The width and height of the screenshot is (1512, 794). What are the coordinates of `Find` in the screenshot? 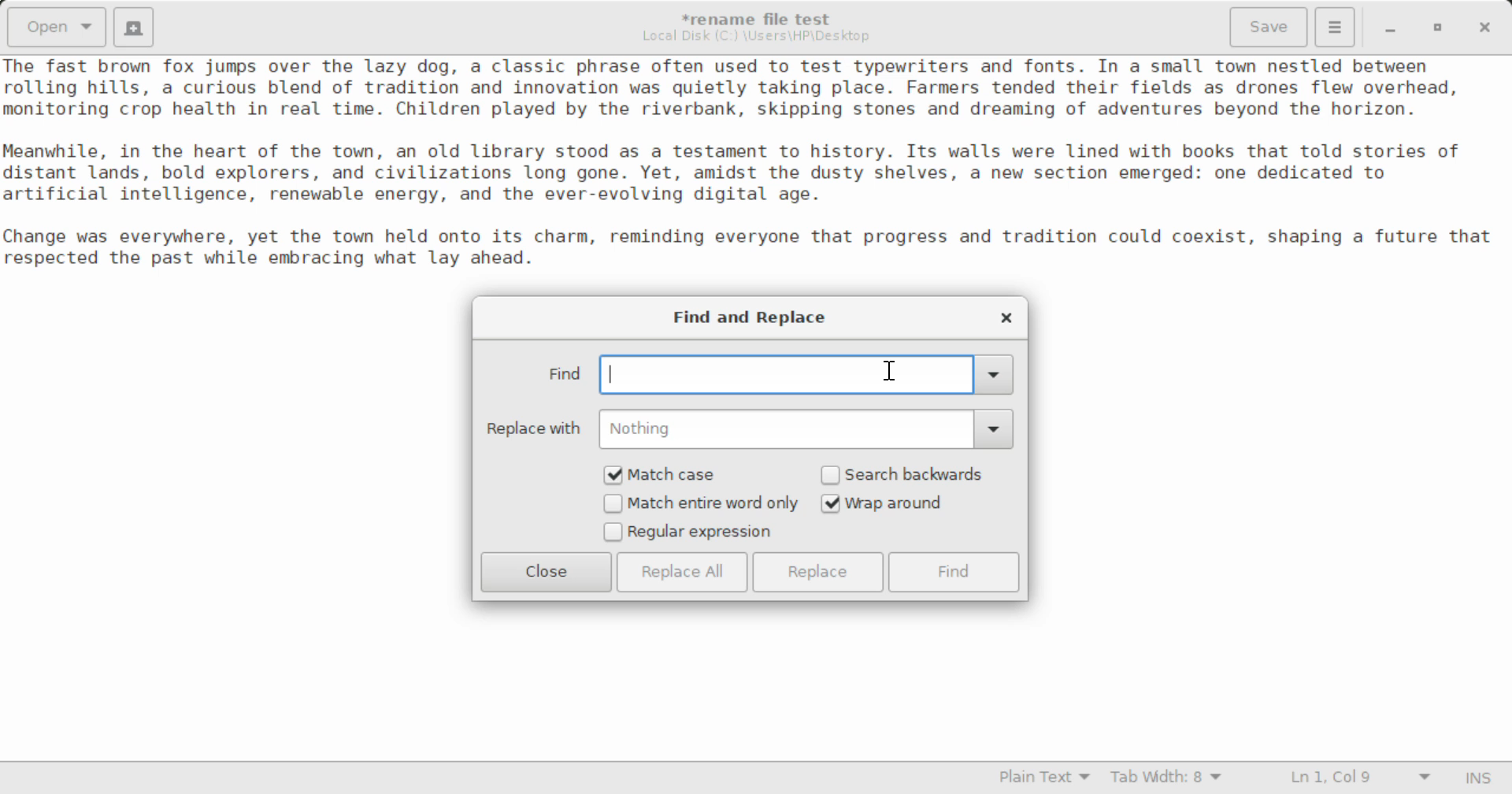 It's located at (955, 572).